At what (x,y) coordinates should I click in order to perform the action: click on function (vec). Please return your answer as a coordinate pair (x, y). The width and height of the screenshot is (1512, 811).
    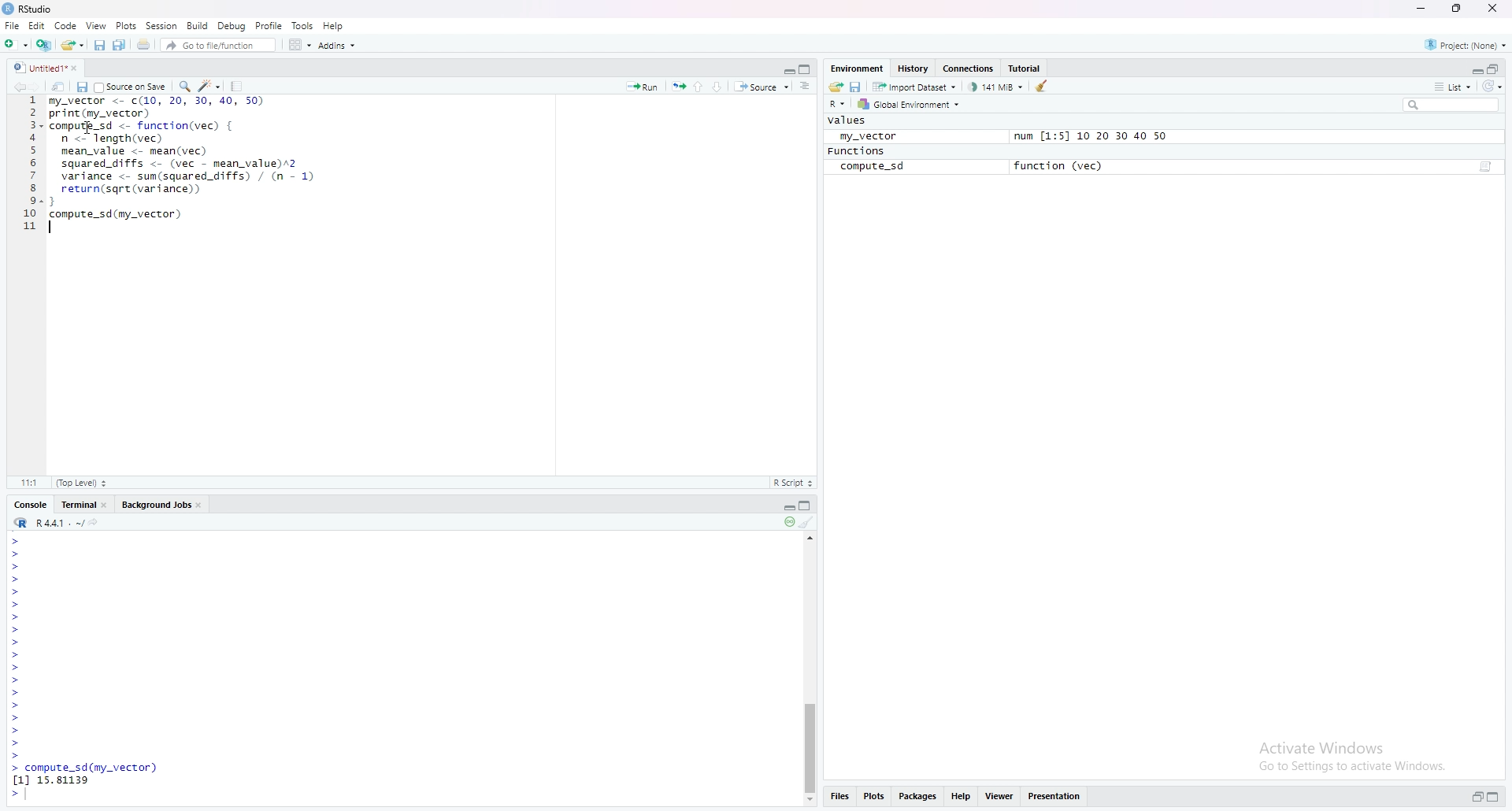
    Looking at the image, I should click on (1063, 165).